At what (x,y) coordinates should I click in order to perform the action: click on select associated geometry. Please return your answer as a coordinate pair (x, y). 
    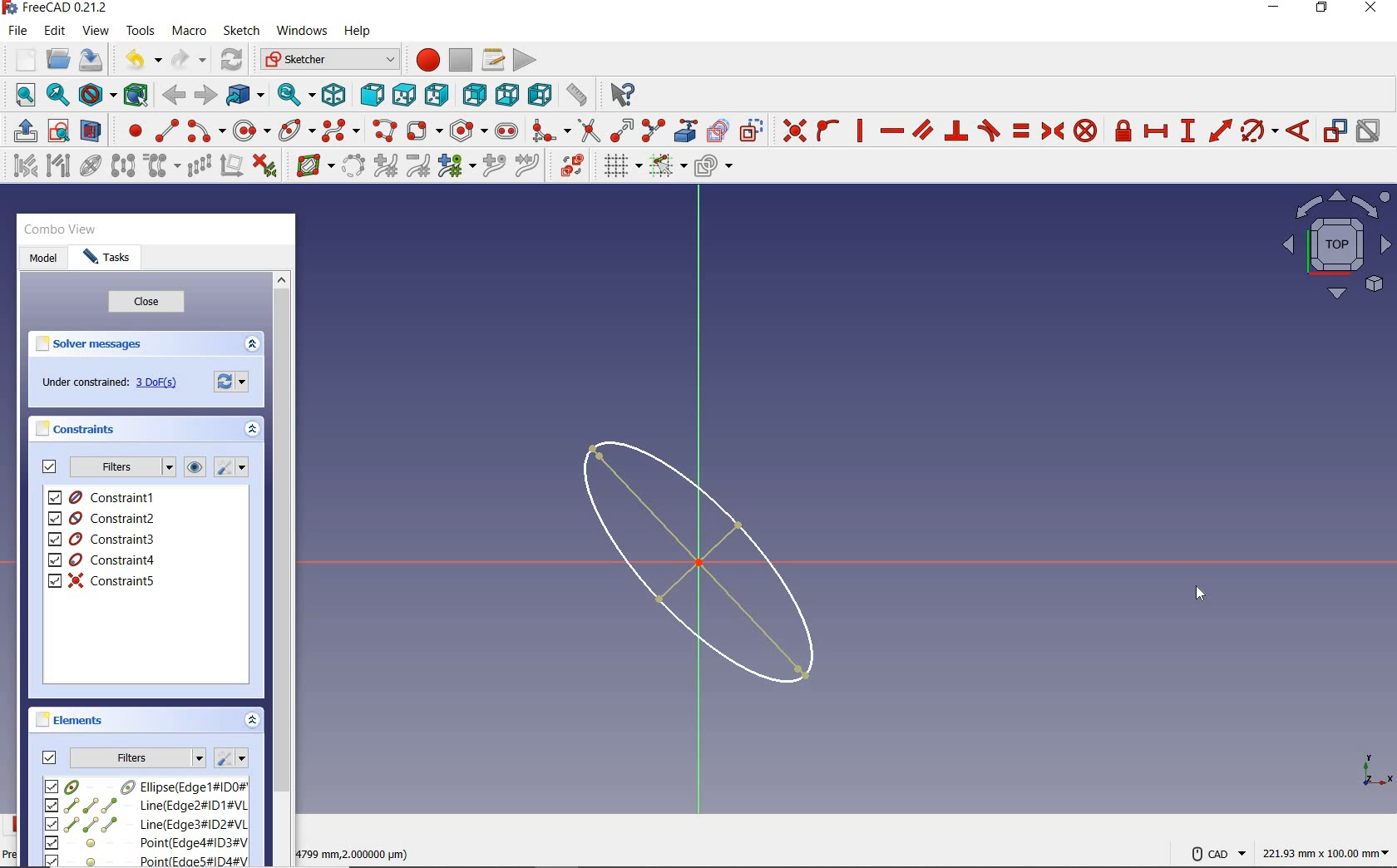
    Looking at the image, I should click on (58, 167).